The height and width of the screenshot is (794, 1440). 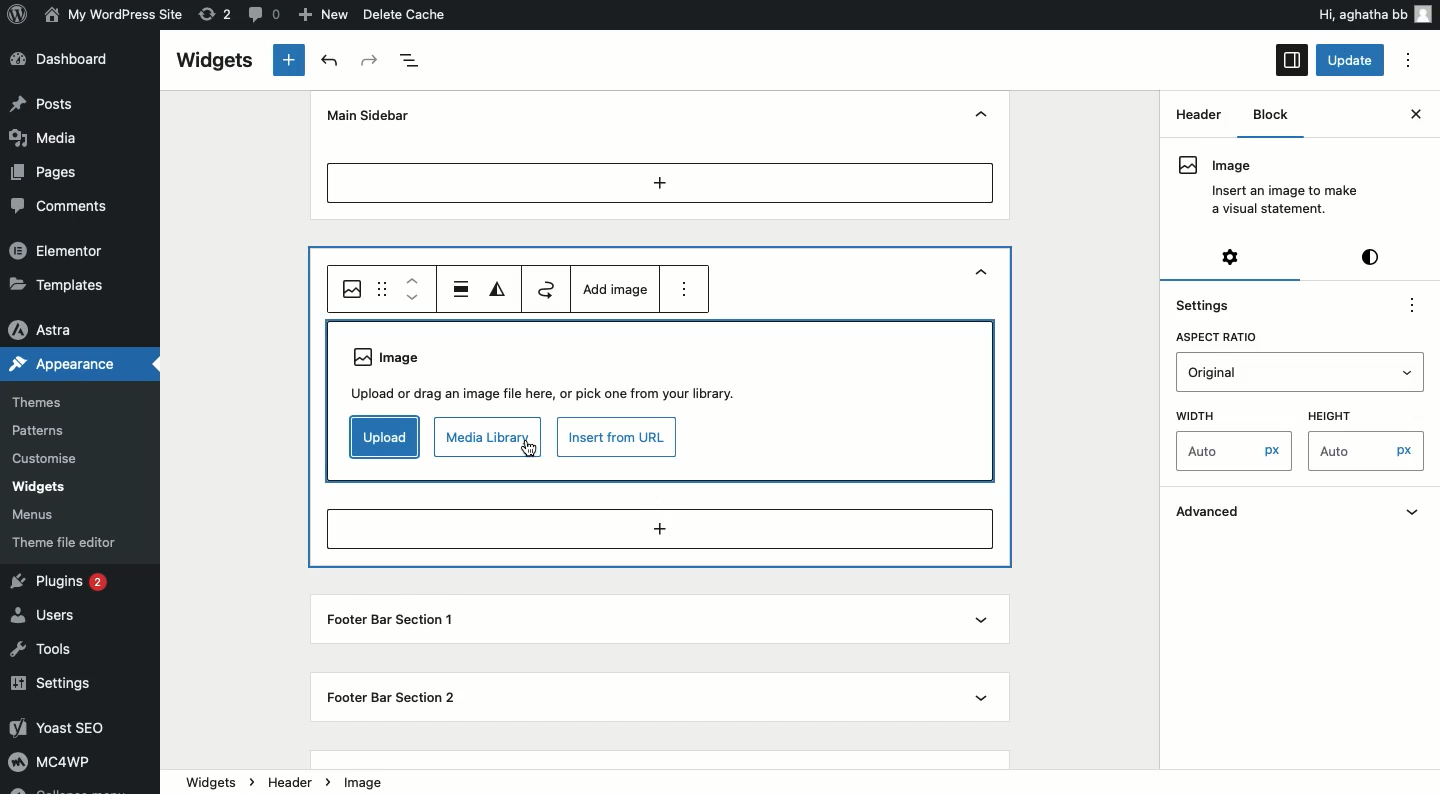 What do you see at coordinates (1292, 60) in the screenshot?
I see `Sidebar` at bounding box center [1292, 60].